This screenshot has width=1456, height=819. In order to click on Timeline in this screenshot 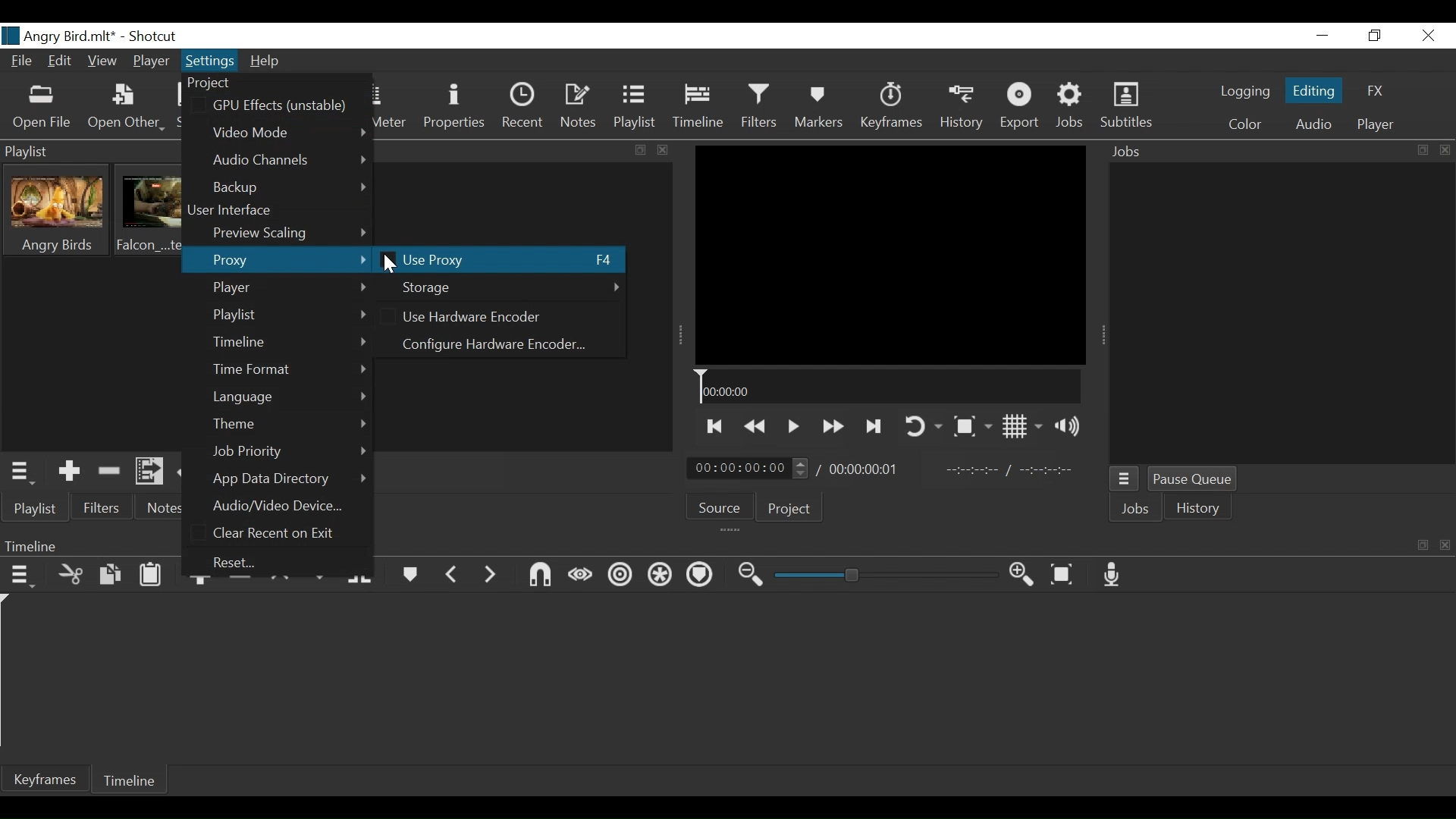, I will do `click(290, 342)`.